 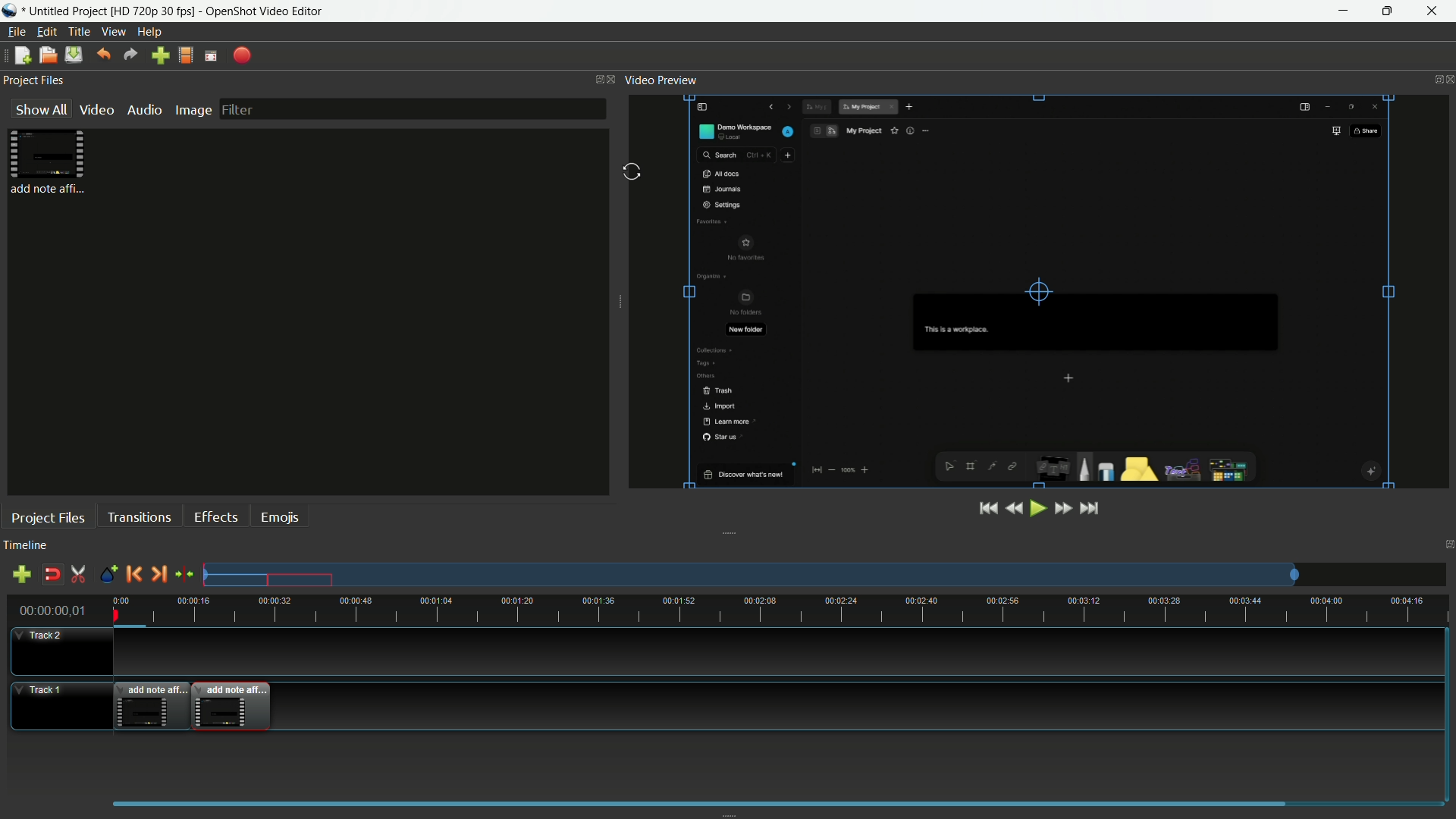 What do you see at coordinates (21, 573) in the screenshot?
I see `add track` at bounding box center [21, 573].